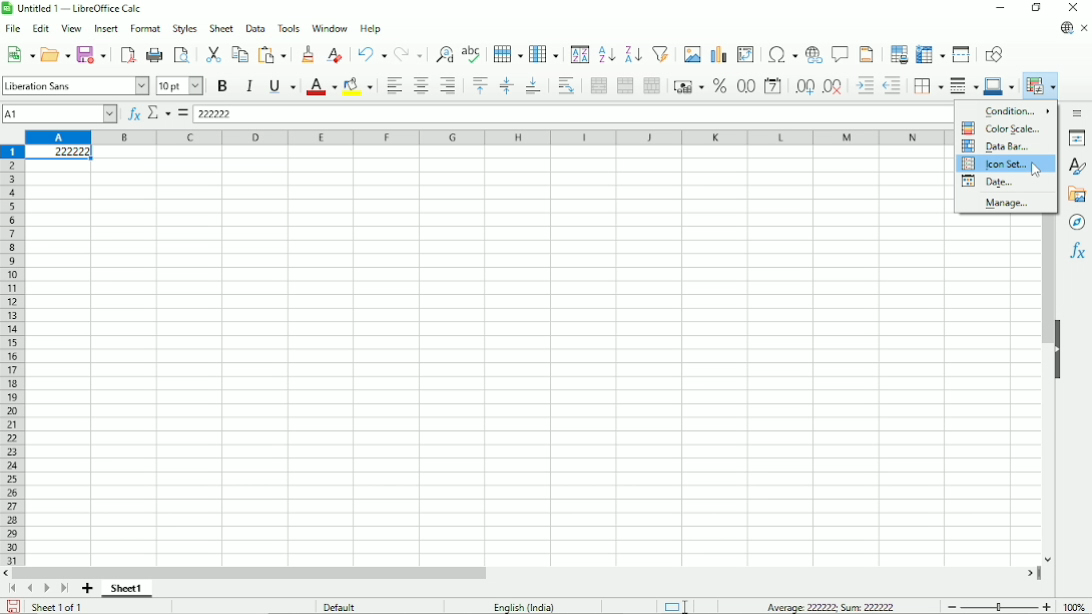 The image size is (1092, 614). What do you see at coordinates (606, 54) in the screenshot?
I see `Sort ascending` at bounding box center [606, 54].